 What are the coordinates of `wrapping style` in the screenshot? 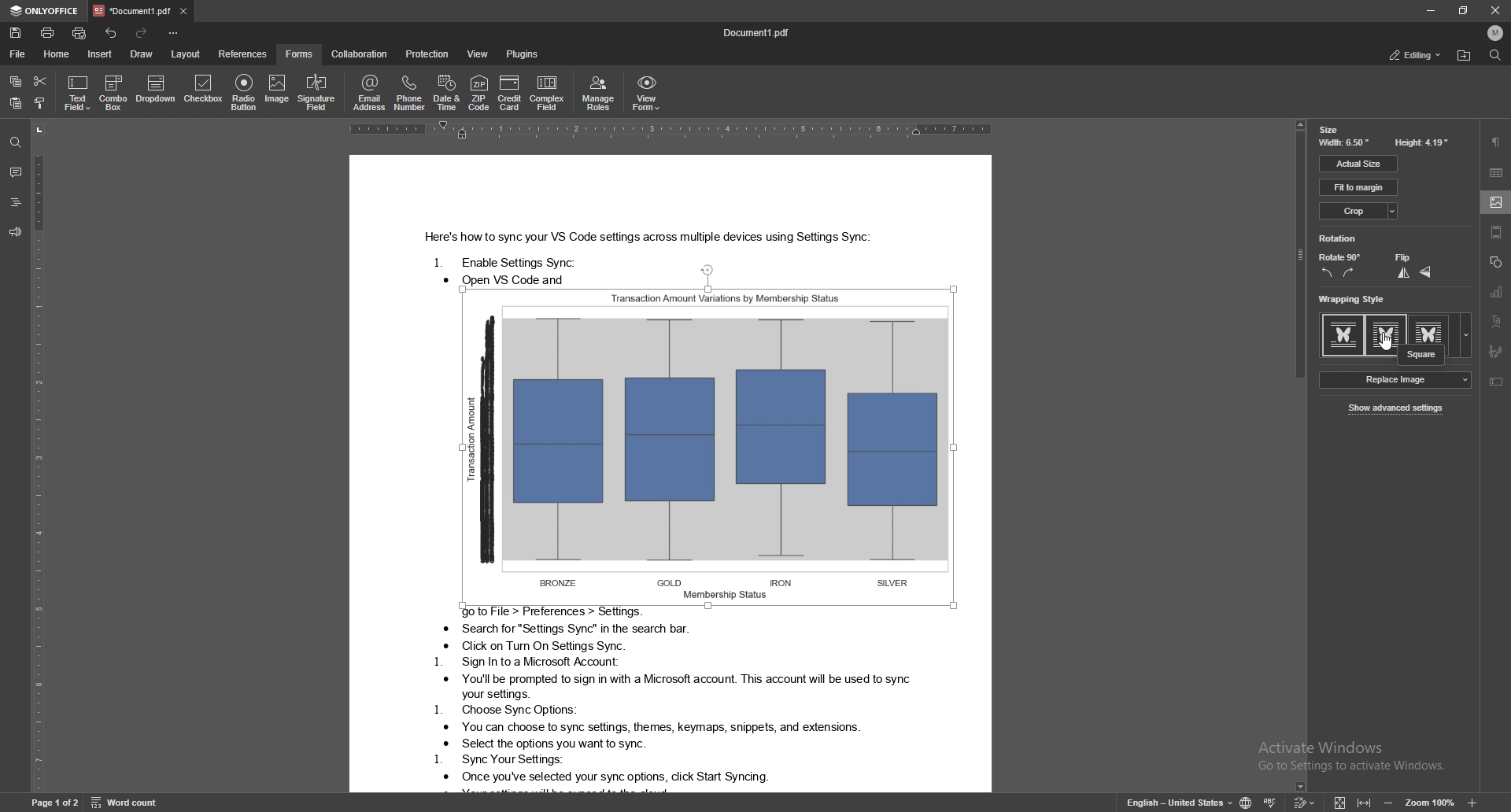 It's located at (1354, 298).